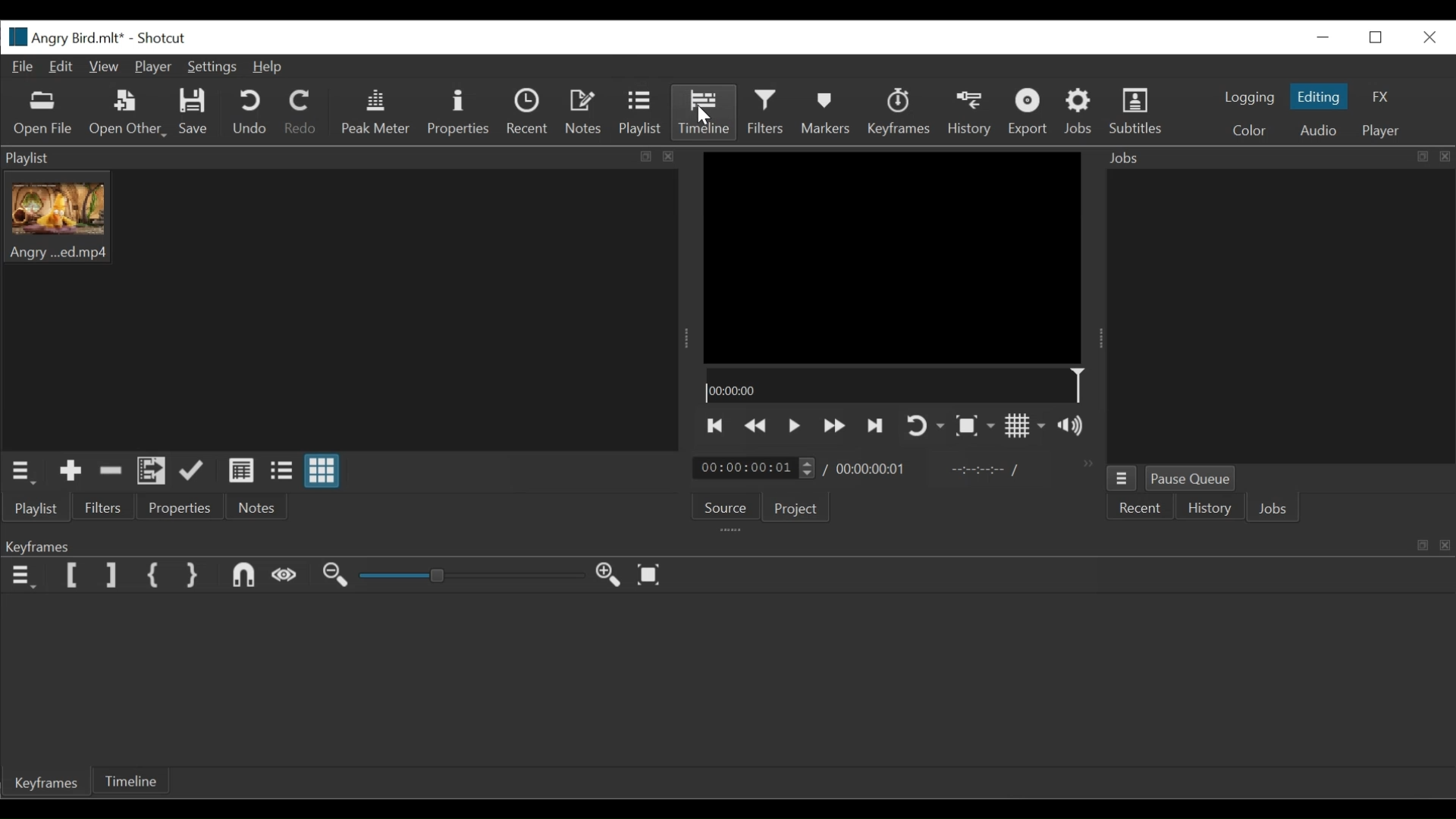  I want to click on Timeline, so click(133, 780).